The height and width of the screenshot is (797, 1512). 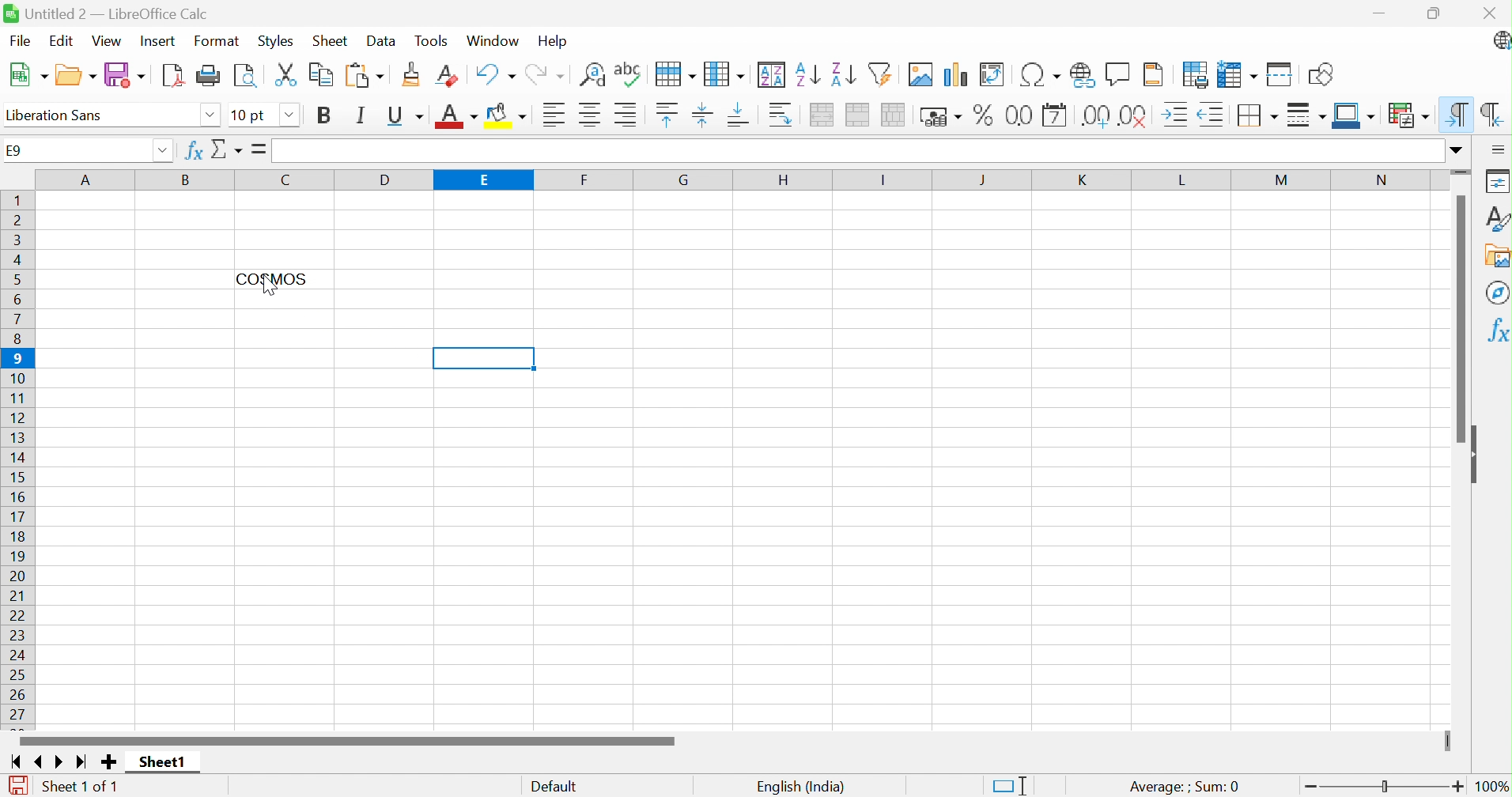 I want to click on Slider, so click(x=1445, y=741).